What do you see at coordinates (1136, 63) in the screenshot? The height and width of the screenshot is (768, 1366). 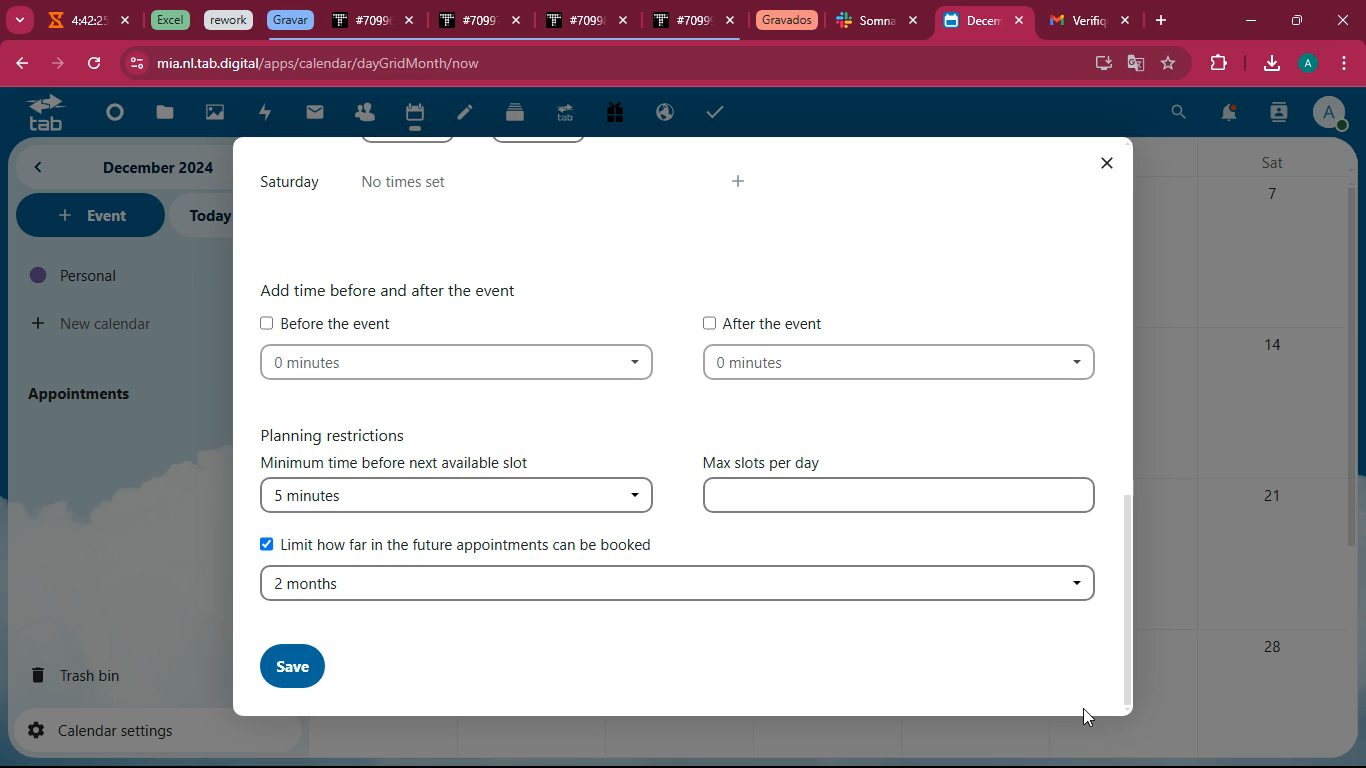 I see `google translator` at bounding box center [1136, 63].